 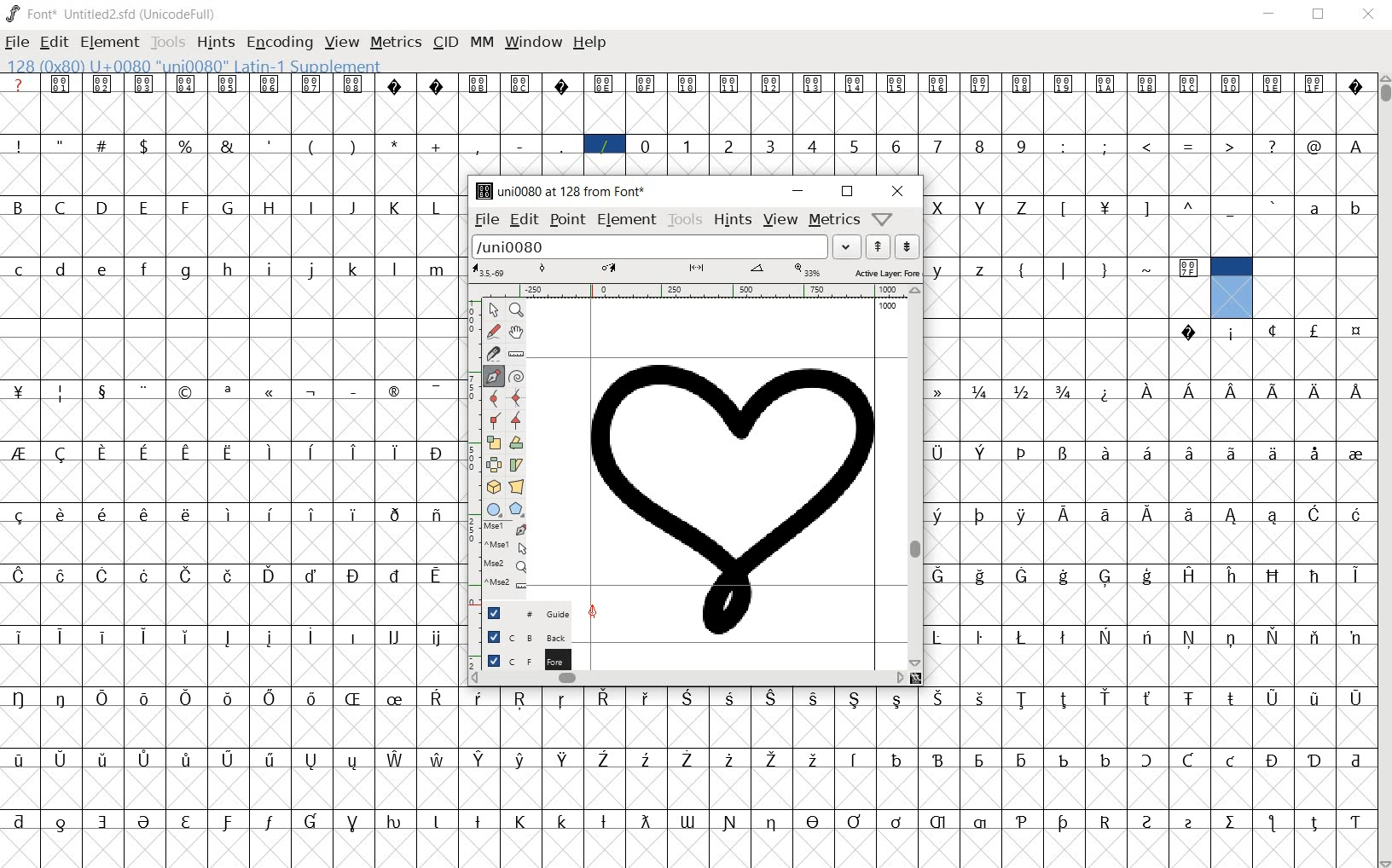 I want to click on glyph, so click(x=1355, y=639).